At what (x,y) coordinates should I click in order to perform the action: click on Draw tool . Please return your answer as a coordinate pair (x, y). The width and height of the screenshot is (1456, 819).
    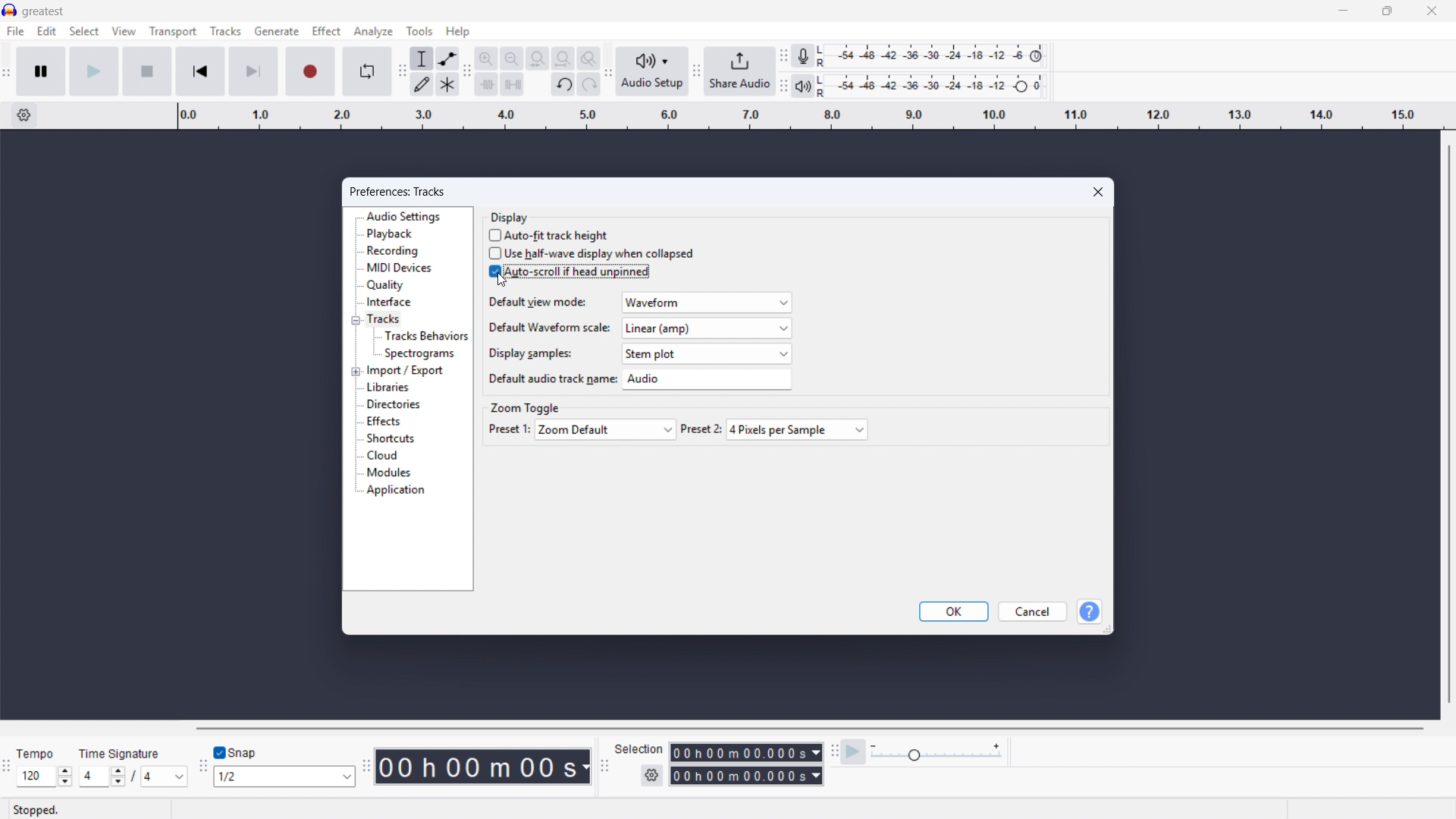
    Looking at the image, I should click on (421, 84).